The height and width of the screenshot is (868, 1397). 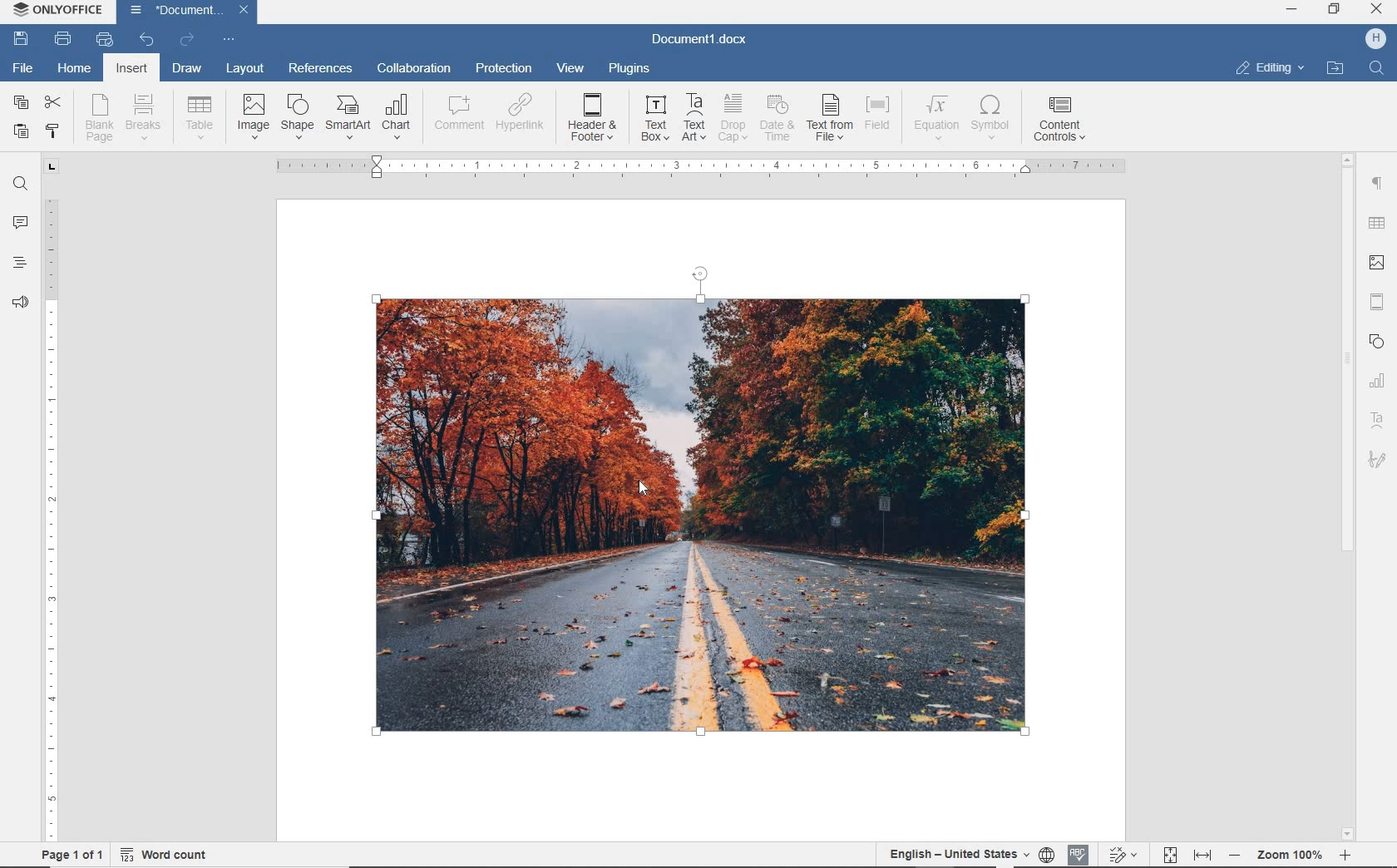 I want to click on cut, so click(x=53, y=101).